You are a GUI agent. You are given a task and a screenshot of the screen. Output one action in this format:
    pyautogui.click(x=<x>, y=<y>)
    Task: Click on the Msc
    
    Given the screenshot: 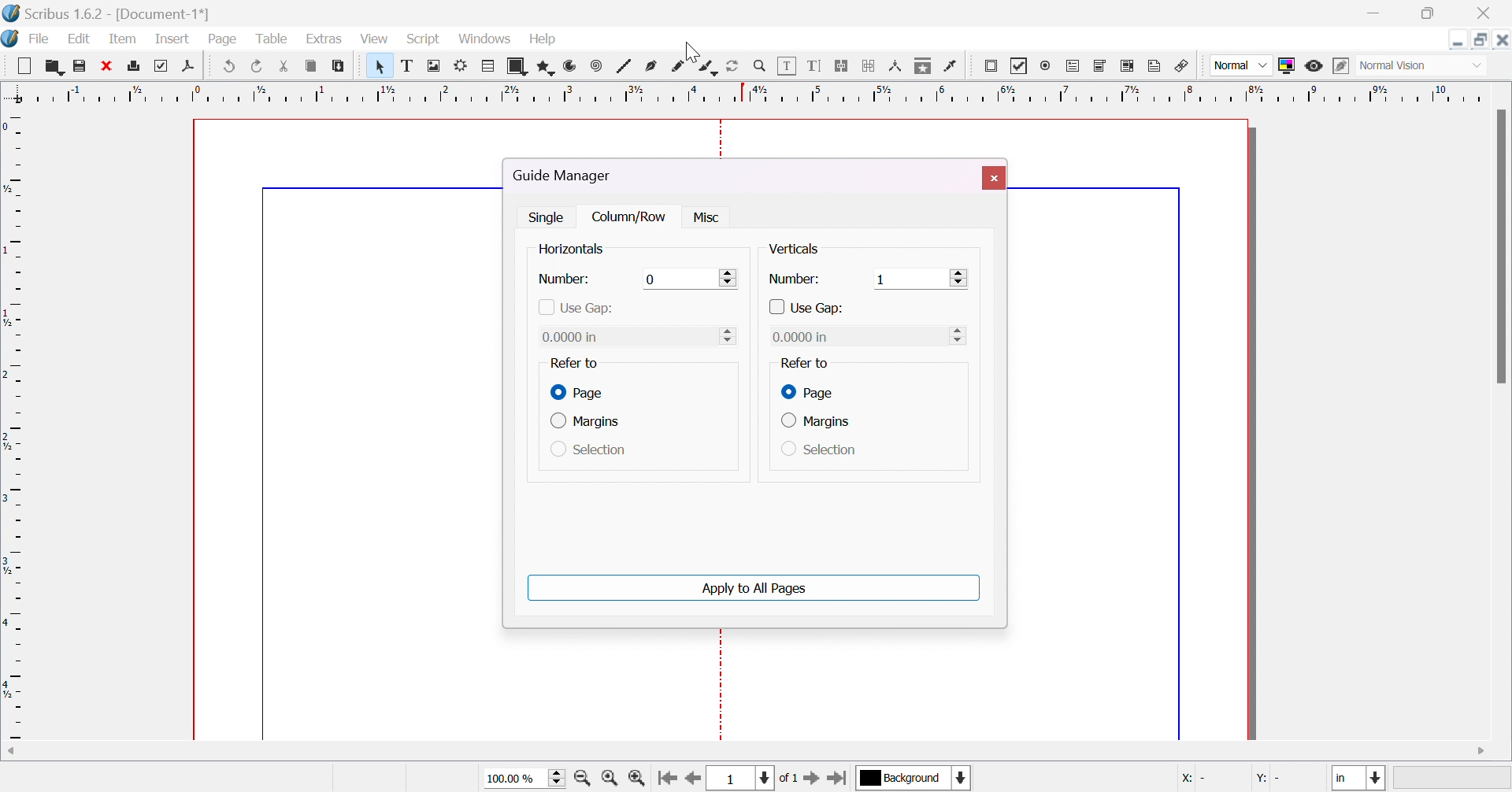 What is the action you would take?
    pyautogui.click(x=704, y=218)
    